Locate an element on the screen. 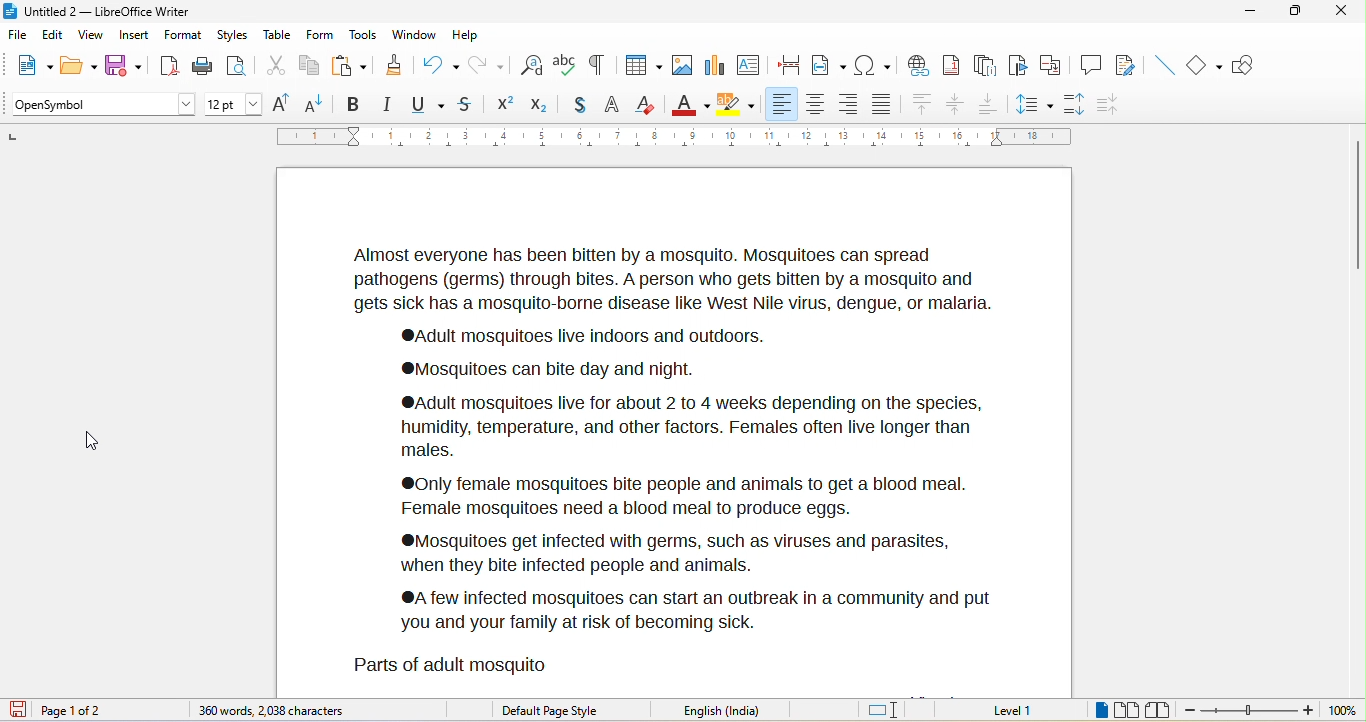 Image resolution: width=1366 pixels, height=722 pixels. undo is located at coordinates (436, 65).